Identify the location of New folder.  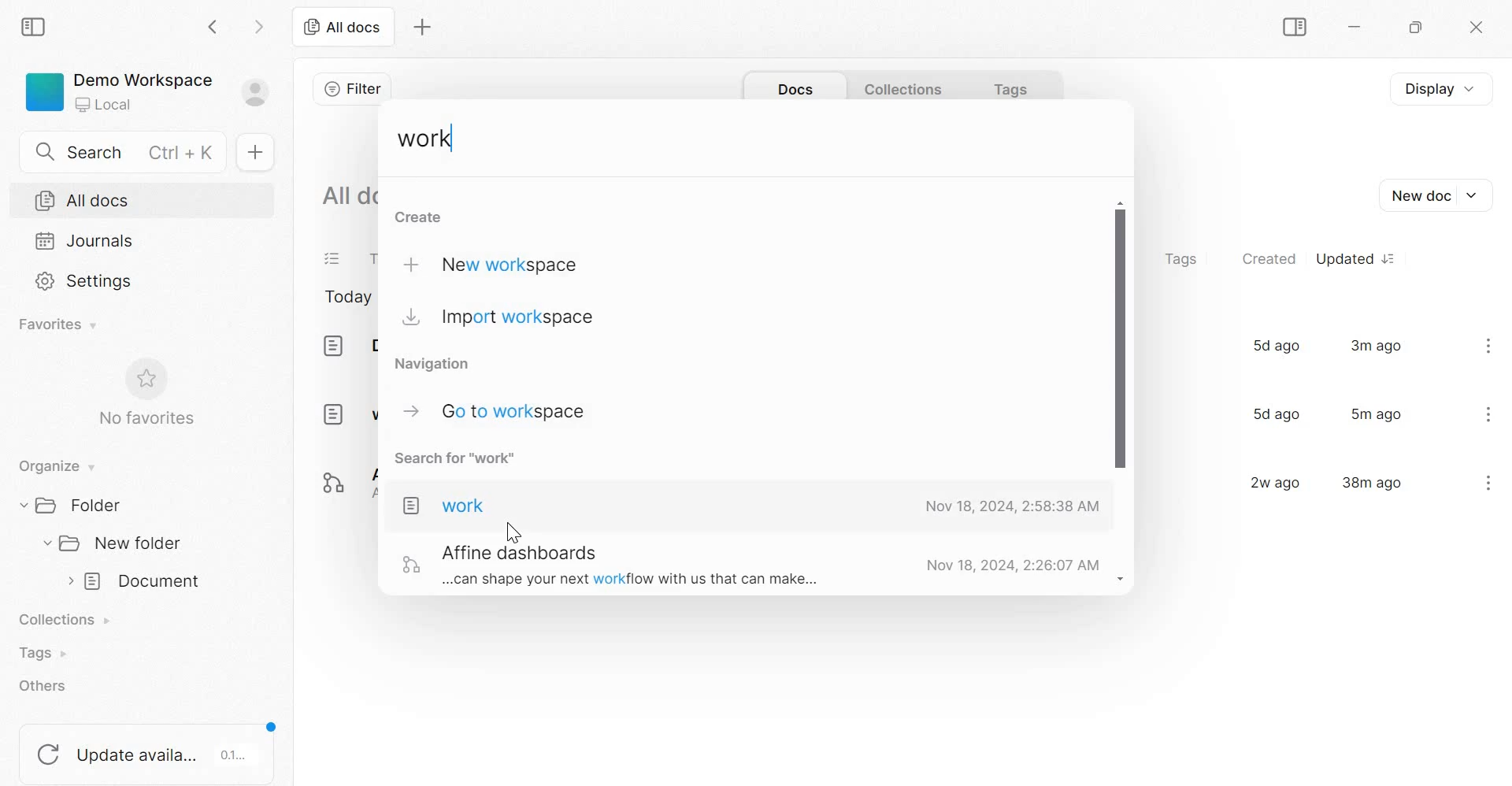
(115, 543).